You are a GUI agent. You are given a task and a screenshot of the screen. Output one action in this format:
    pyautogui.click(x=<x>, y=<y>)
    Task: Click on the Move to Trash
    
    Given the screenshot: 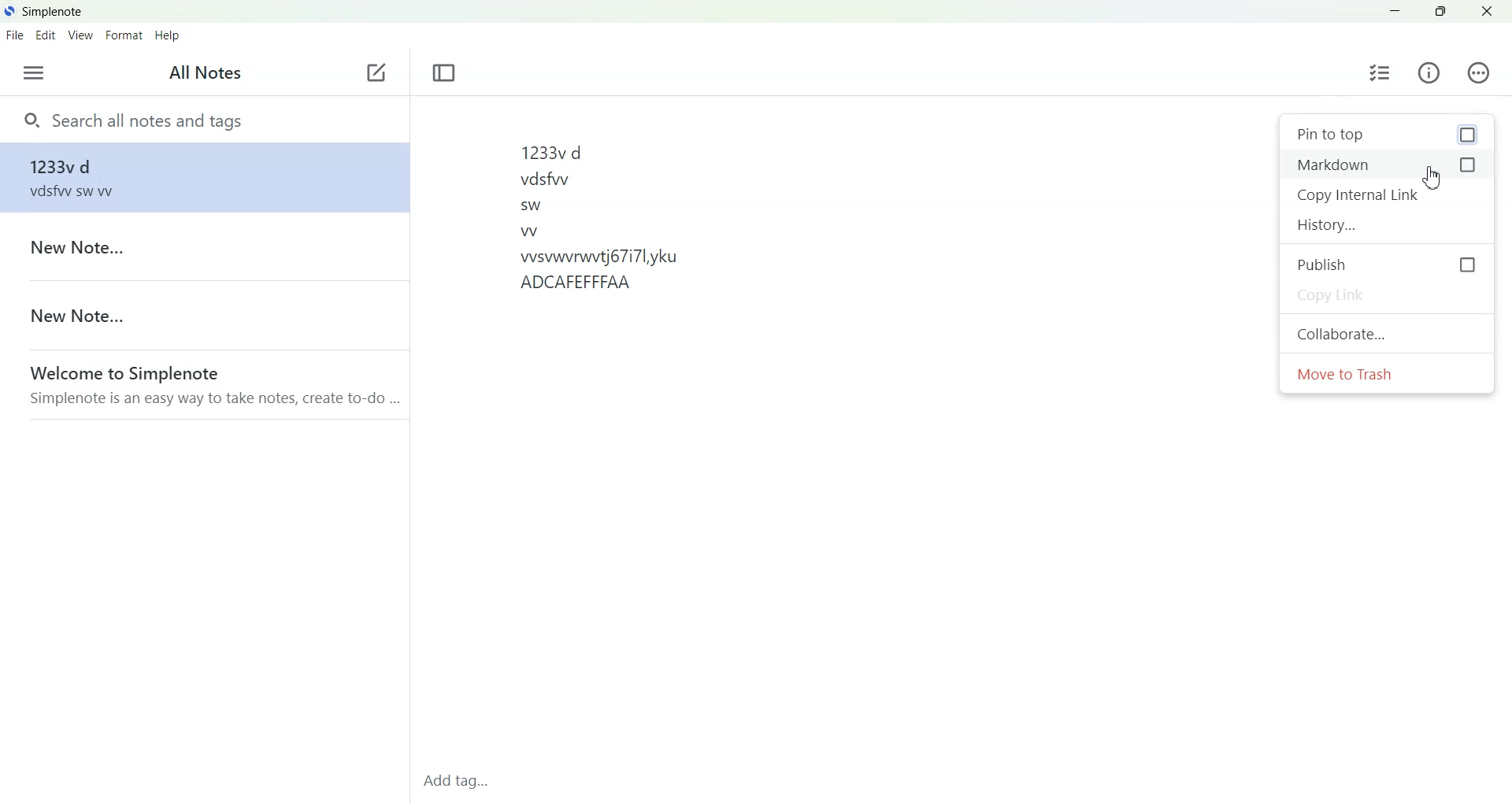 What is the action you would take?
    pyautogui.click(x=1388, y=374)
    